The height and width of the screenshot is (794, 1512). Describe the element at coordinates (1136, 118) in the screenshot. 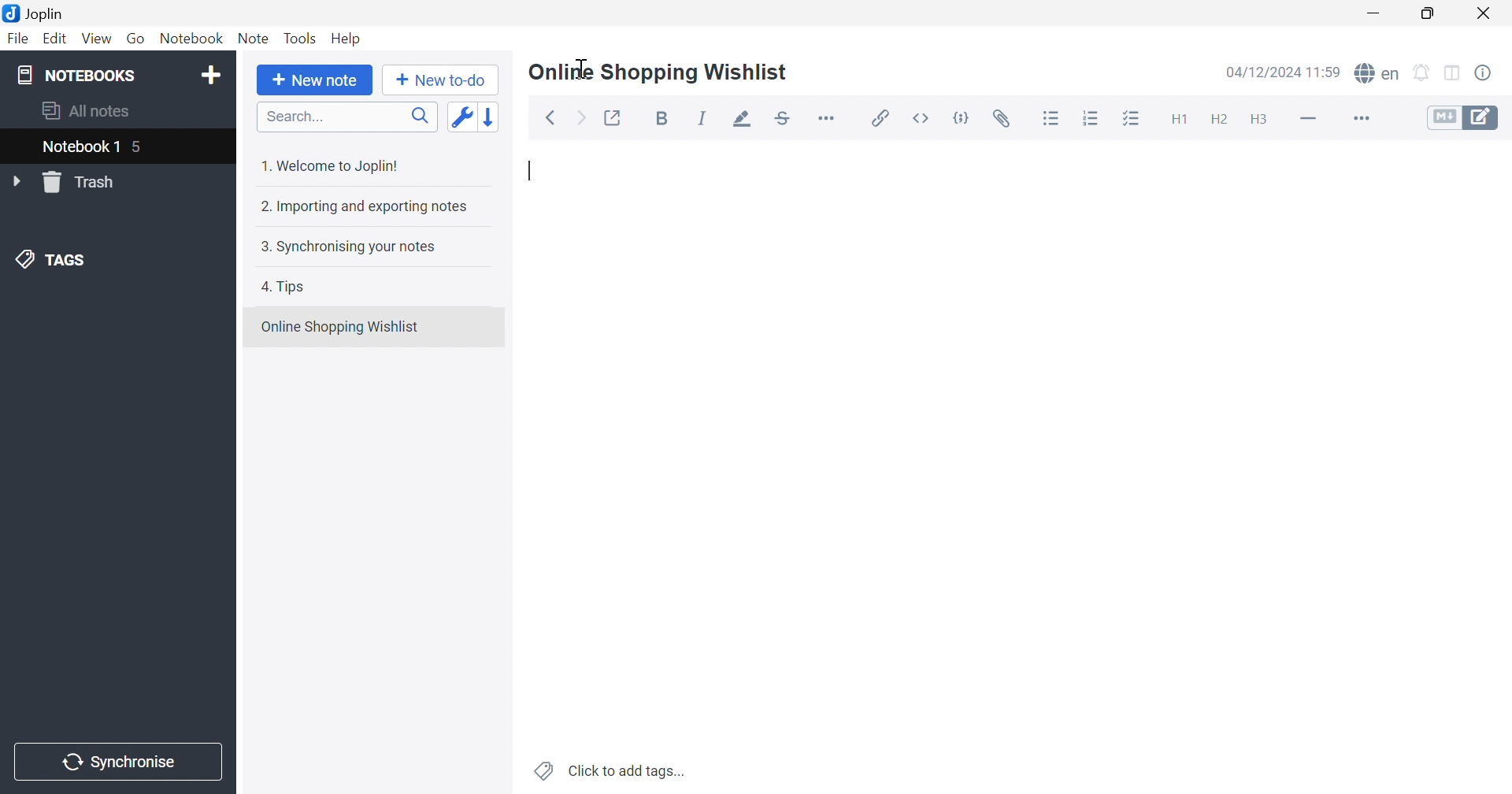

I see `Checkbox list` at that location.